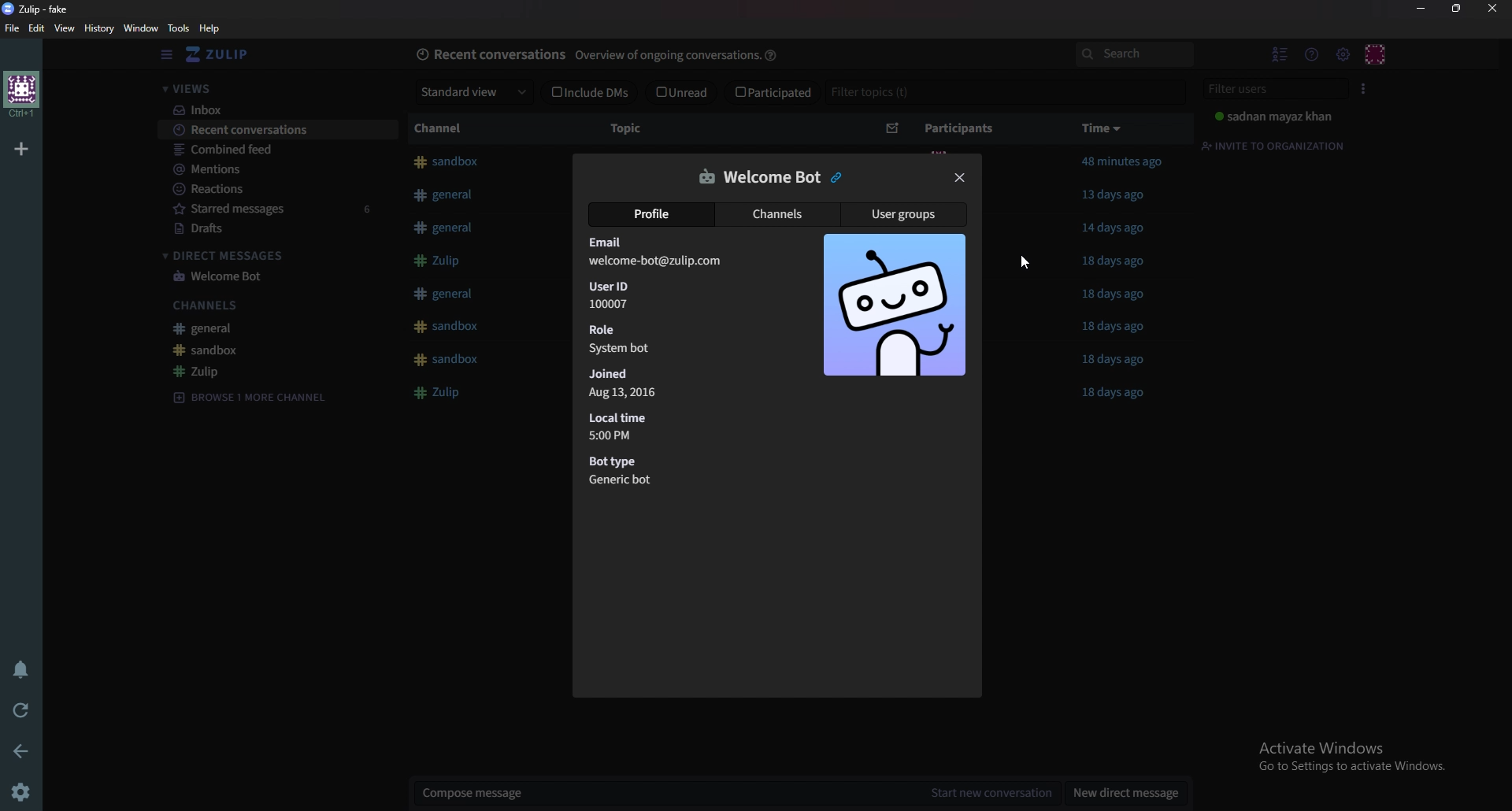  What do you see at coordinates (272, 150) in the screenshot?
I see `Combined feed` at bounding box center [272, 150].